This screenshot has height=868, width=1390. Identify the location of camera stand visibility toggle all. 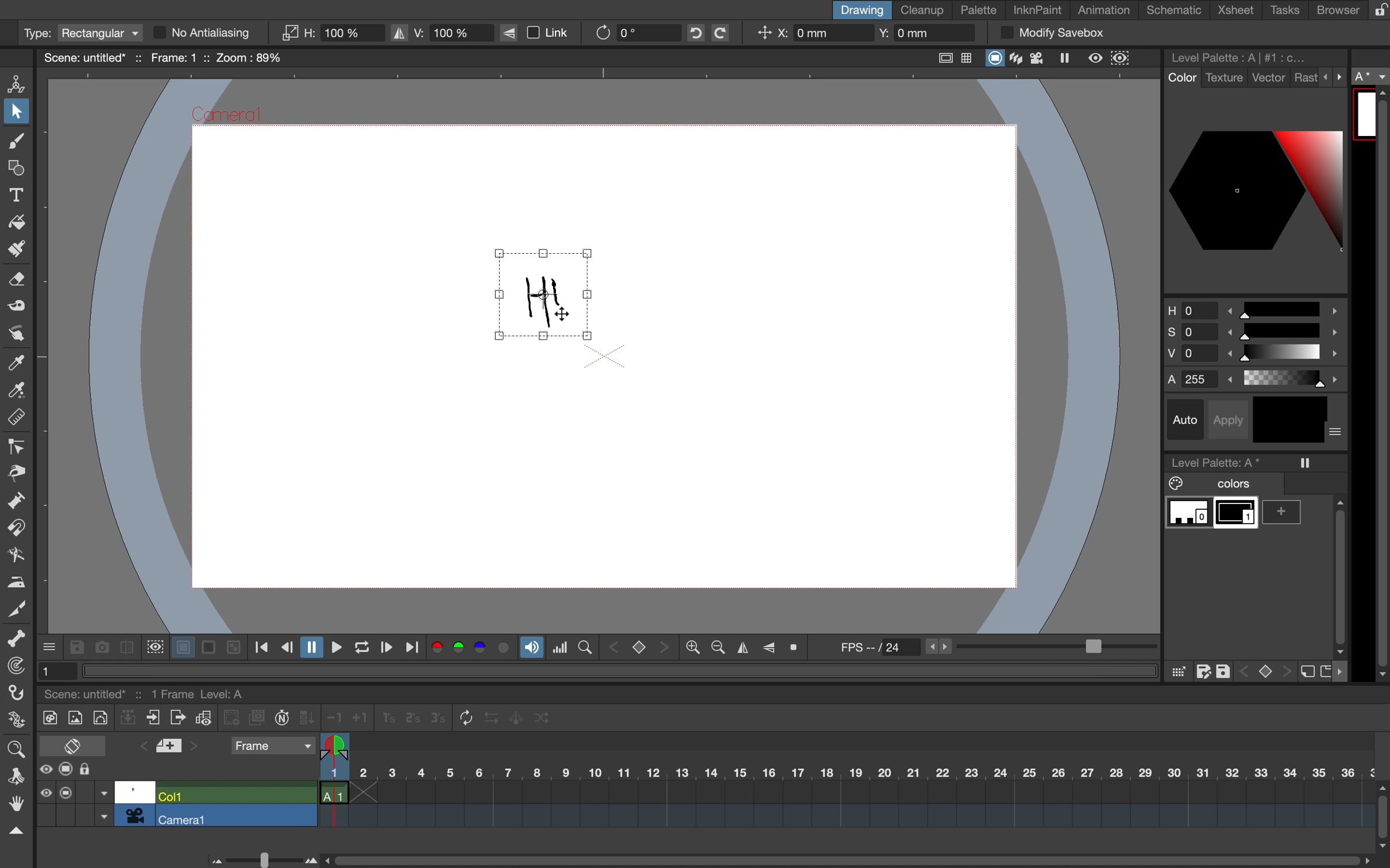
(66, 770).